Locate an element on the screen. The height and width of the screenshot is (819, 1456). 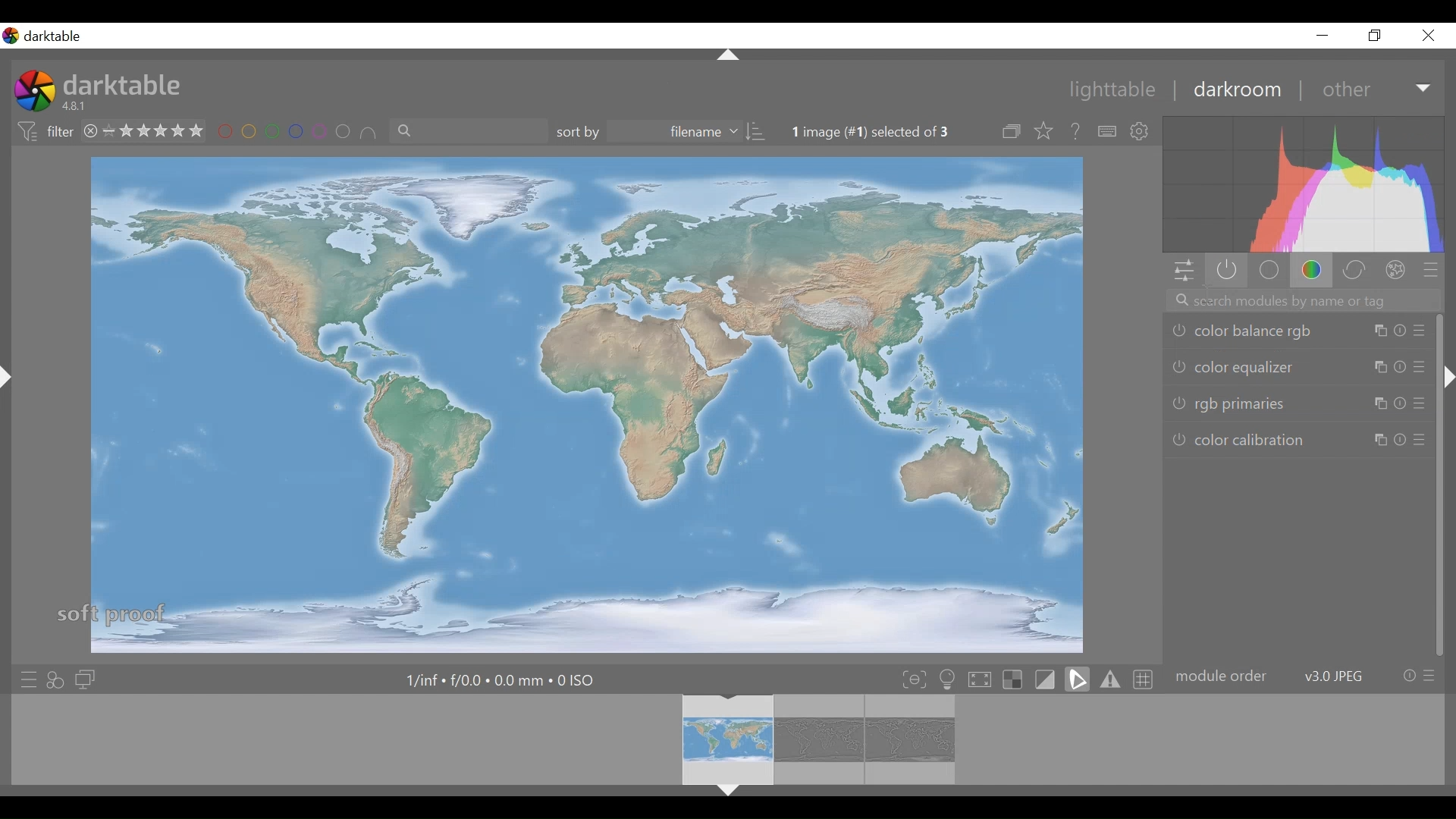
histogram is located at coordinates (1305, 184).